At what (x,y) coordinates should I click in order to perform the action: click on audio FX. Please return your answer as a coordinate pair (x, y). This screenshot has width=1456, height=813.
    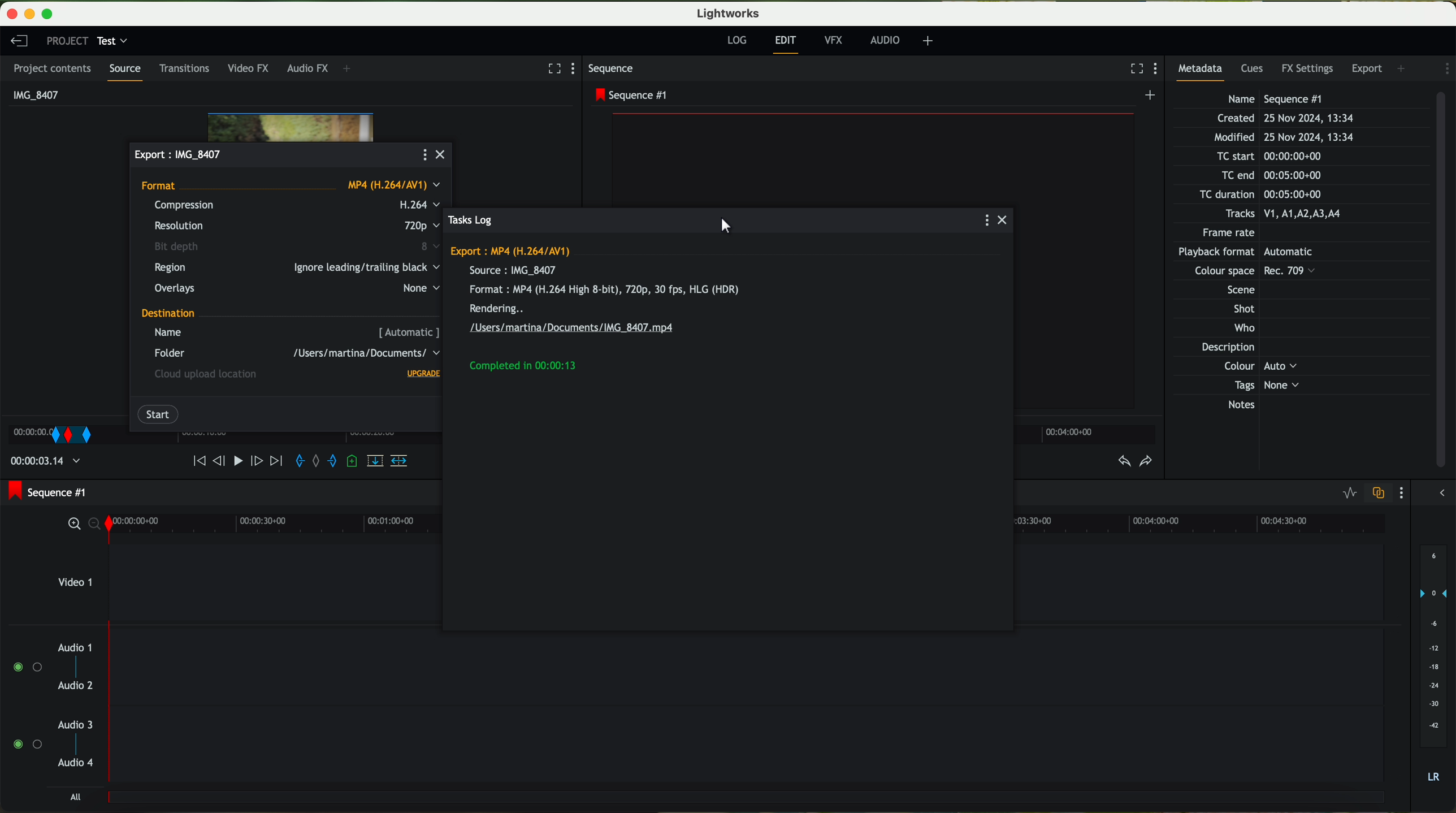
    Looking at the image, I should click on (306, 68).